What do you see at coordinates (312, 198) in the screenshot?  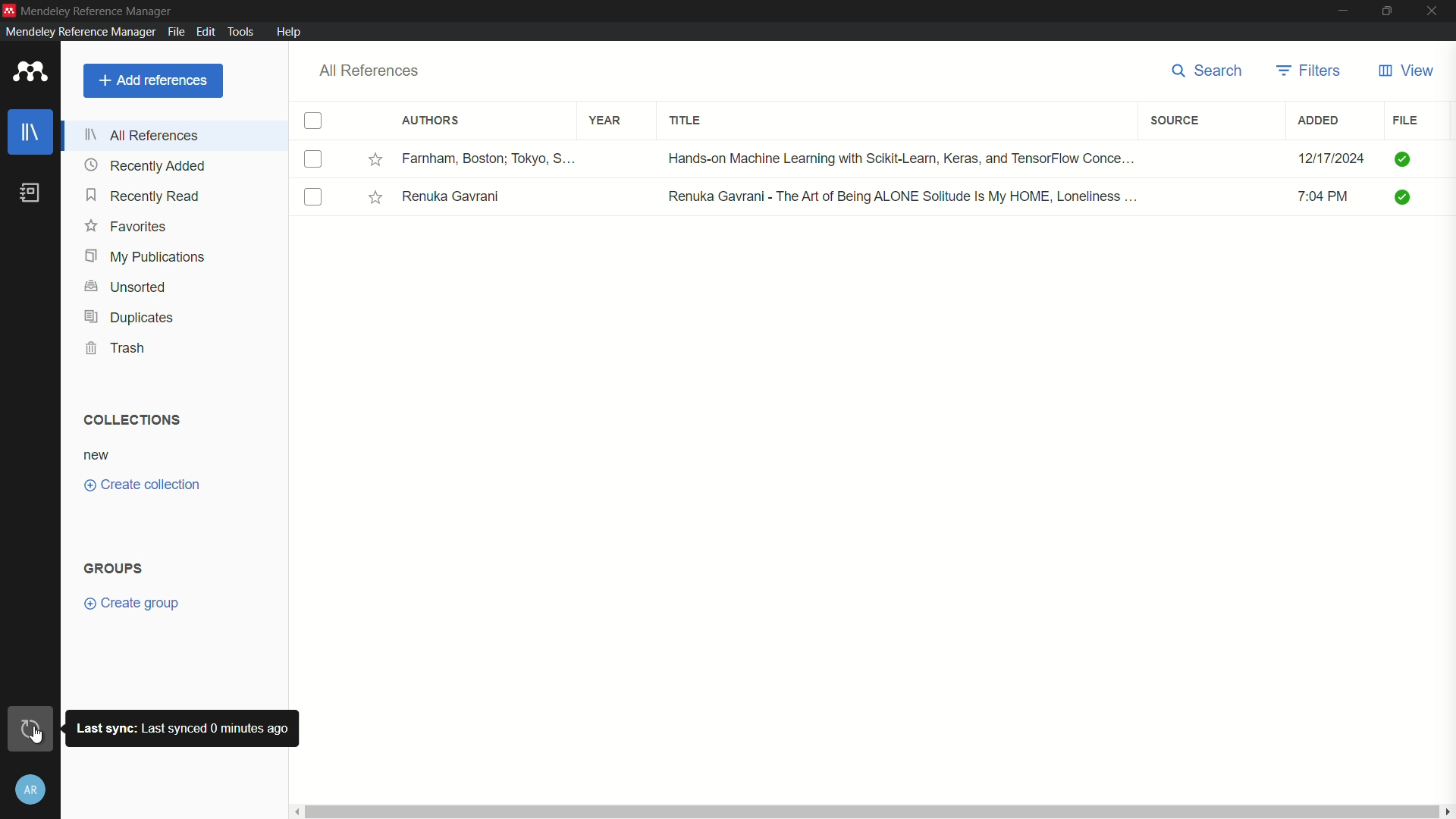 I see `book-2` at bounding box center [312, 198].